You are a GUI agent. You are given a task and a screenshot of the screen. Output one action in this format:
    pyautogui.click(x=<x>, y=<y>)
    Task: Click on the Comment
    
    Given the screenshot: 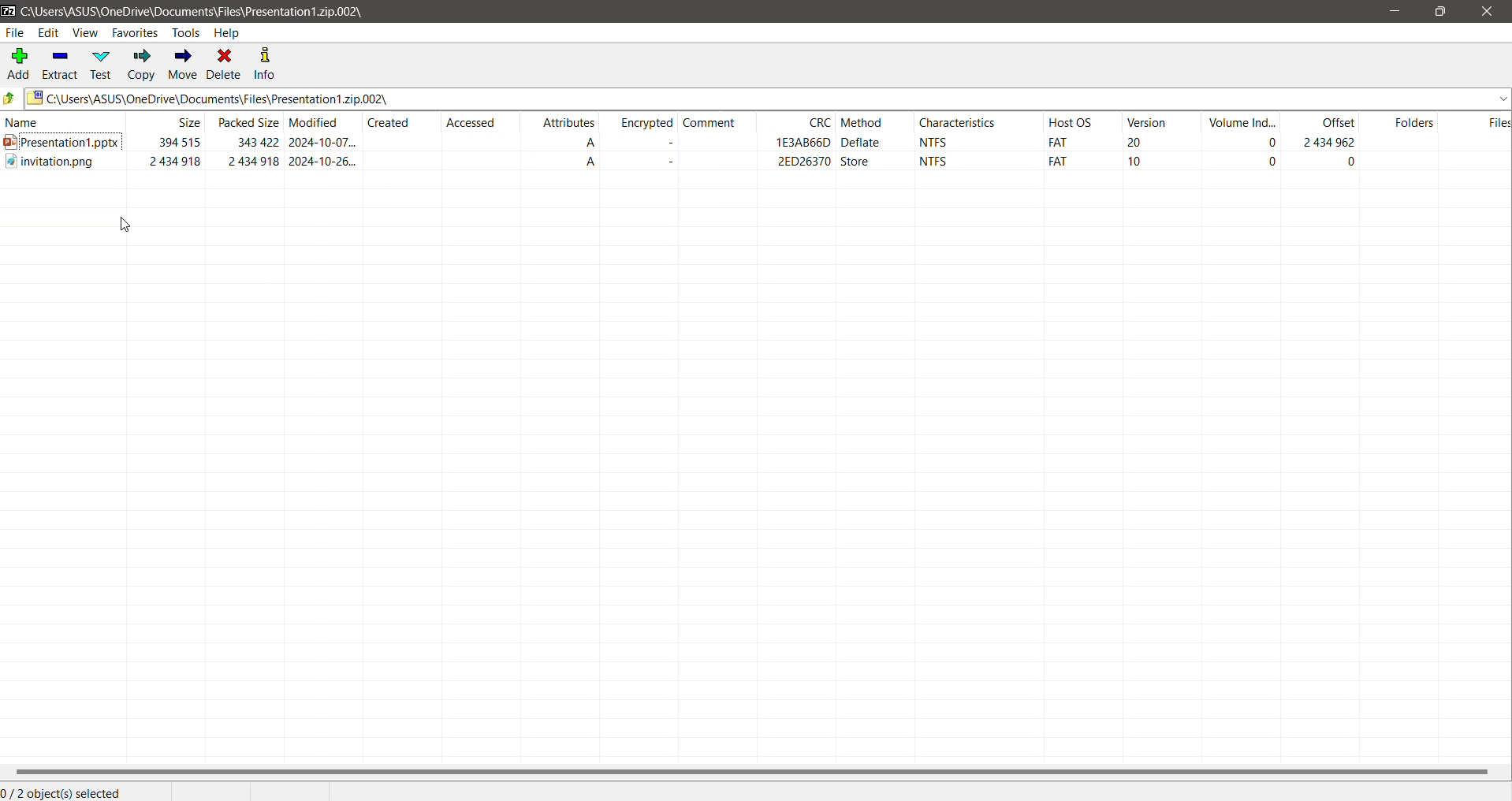 What is the action you would take?
    pyautogui.click(x=719, y=122)
    